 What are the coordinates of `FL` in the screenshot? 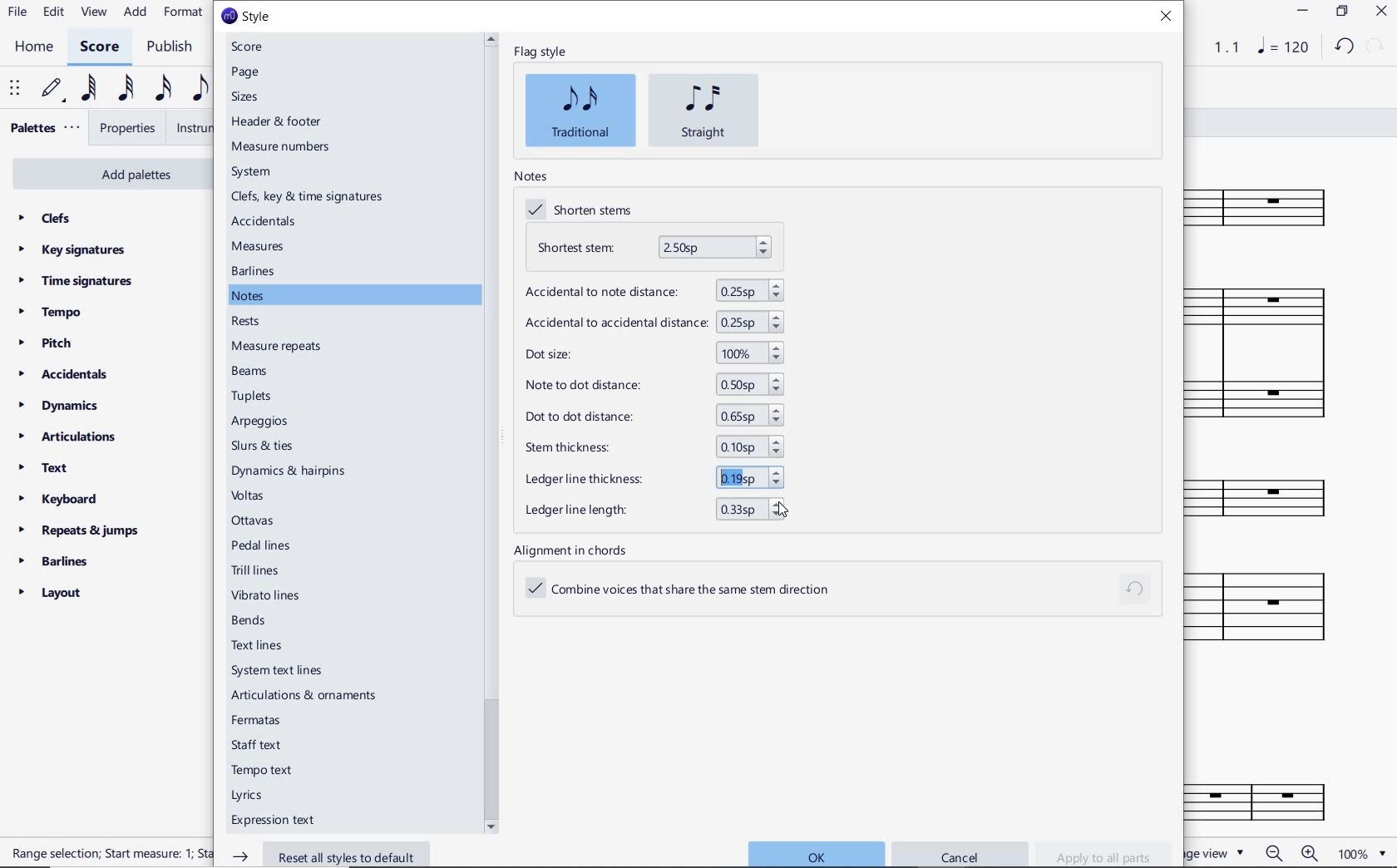 It's located at (1273, 794).